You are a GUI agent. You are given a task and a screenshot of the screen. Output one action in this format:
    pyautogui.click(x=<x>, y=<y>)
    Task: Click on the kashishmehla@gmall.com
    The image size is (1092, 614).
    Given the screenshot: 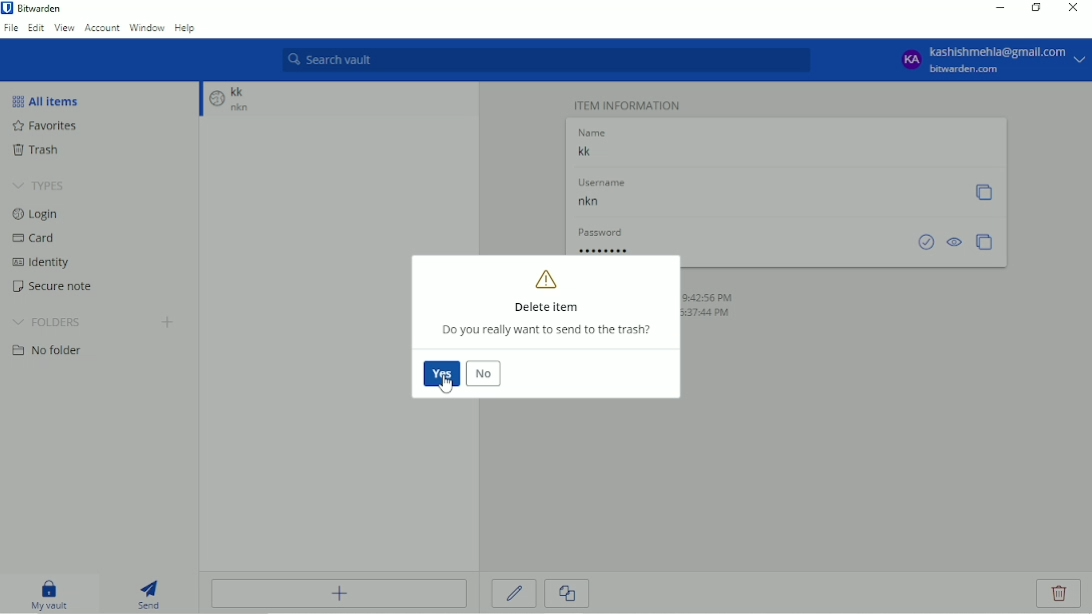 What is the action you would take?
    pyautogui.click(x=999, y=50)
    